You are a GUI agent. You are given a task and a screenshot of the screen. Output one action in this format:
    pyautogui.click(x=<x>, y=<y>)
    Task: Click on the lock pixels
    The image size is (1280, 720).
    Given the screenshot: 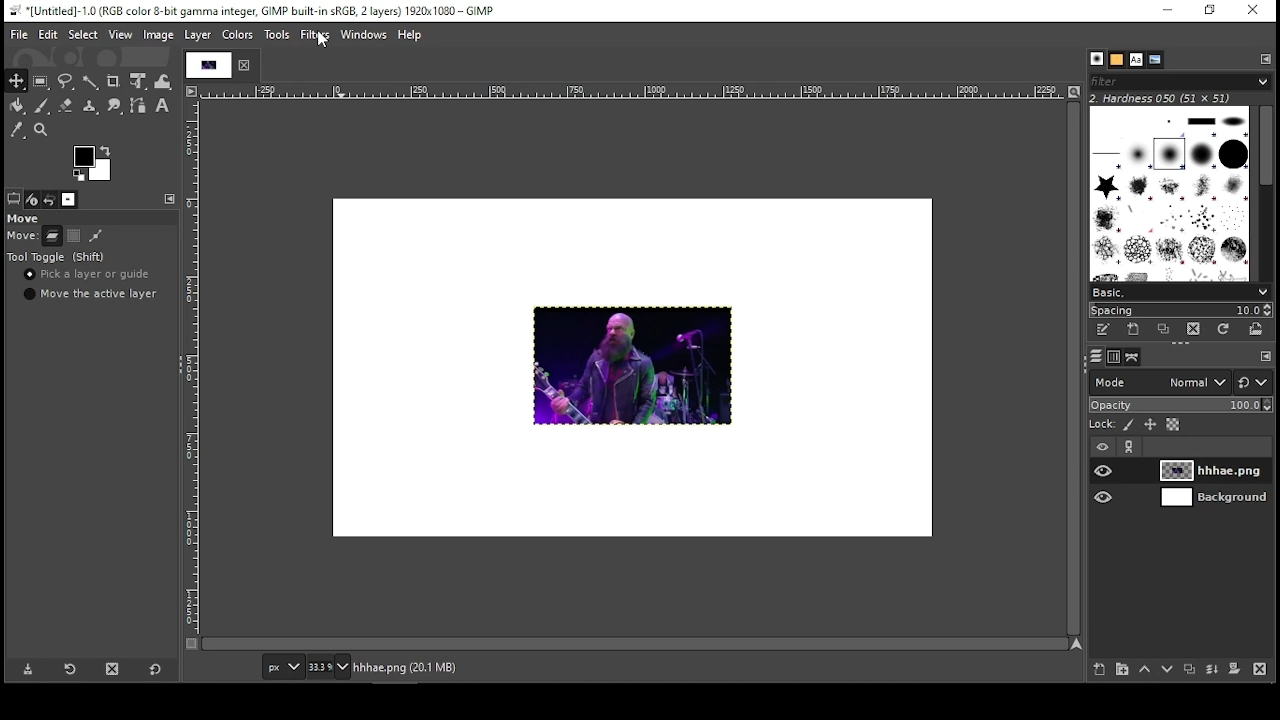 What is the action you would take?
    pyautogui.click(x=1129, y=425)
    